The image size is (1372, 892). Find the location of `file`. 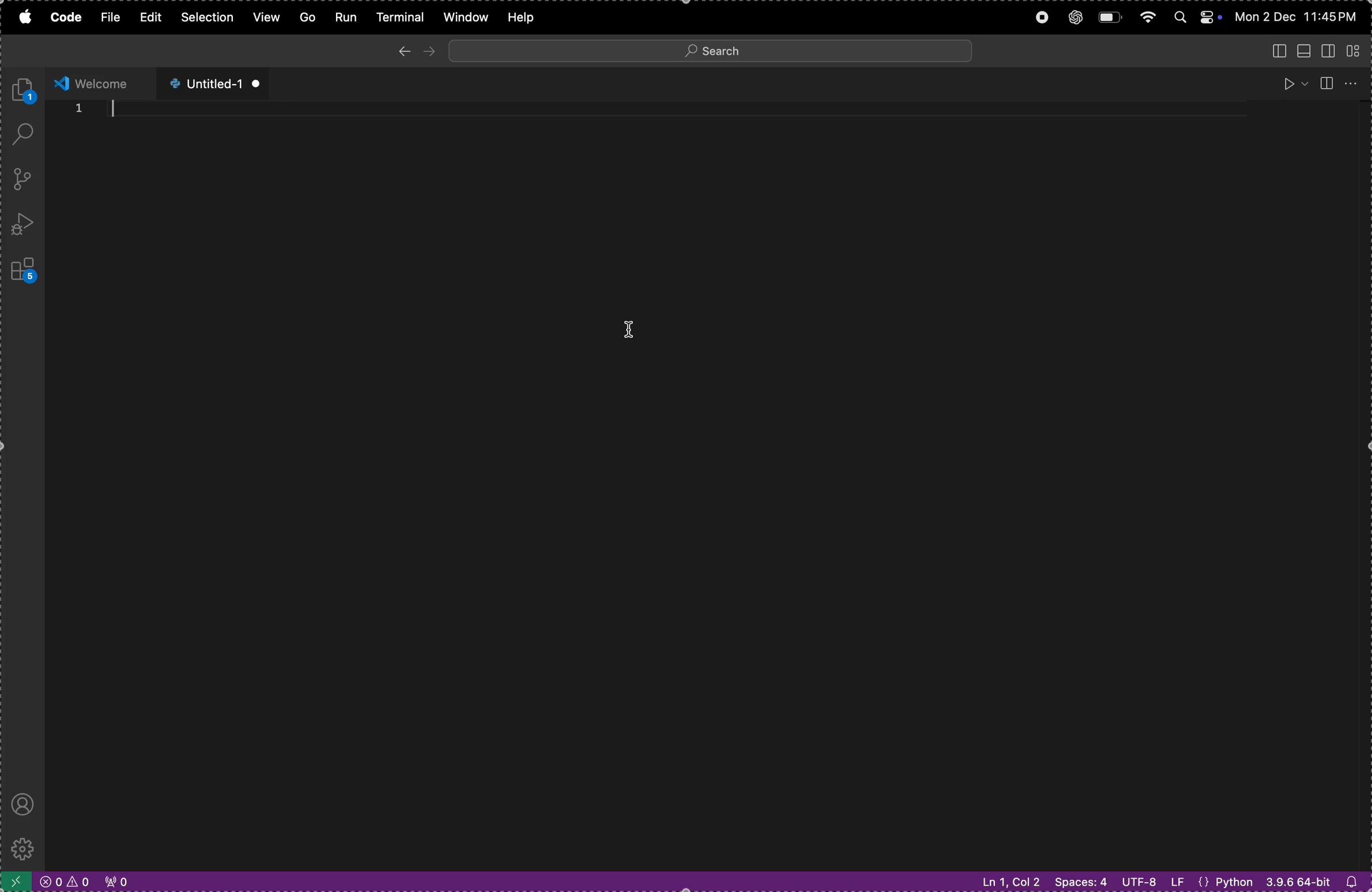

file is located at coordinates (105, 17).